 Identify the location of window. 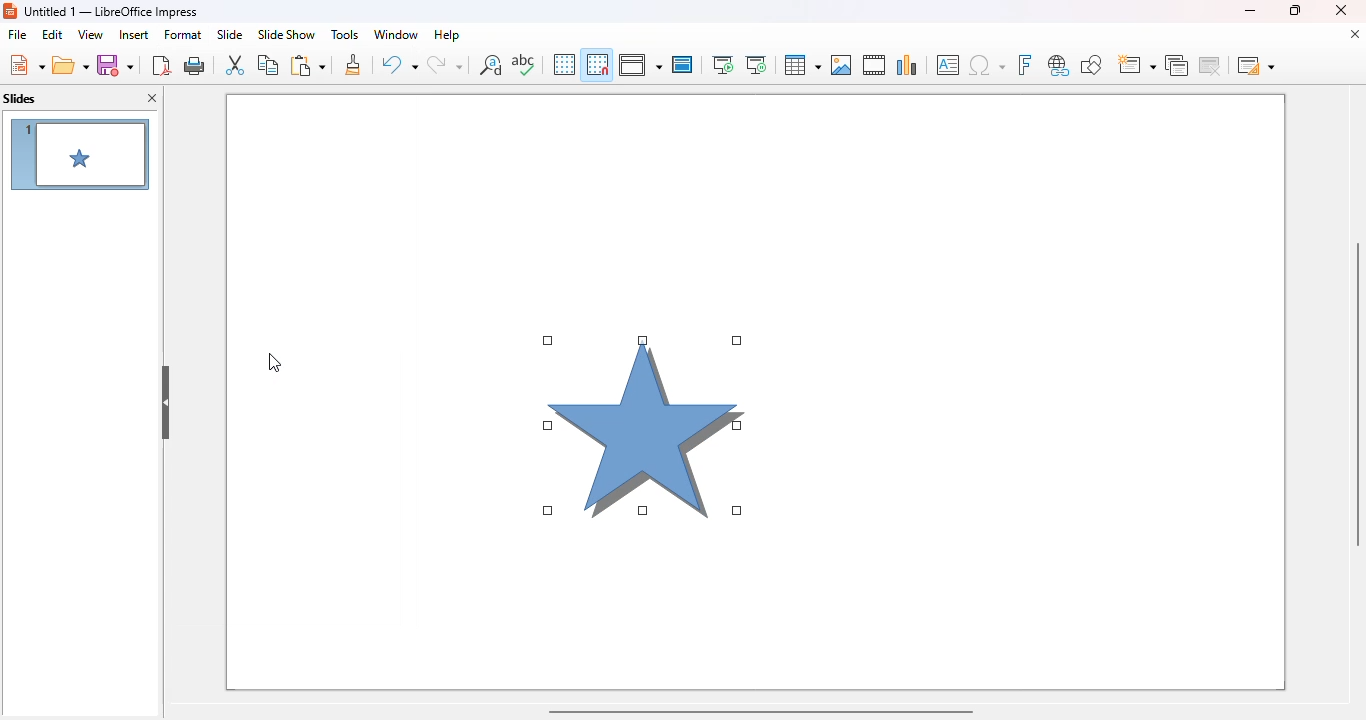
(395, 34).